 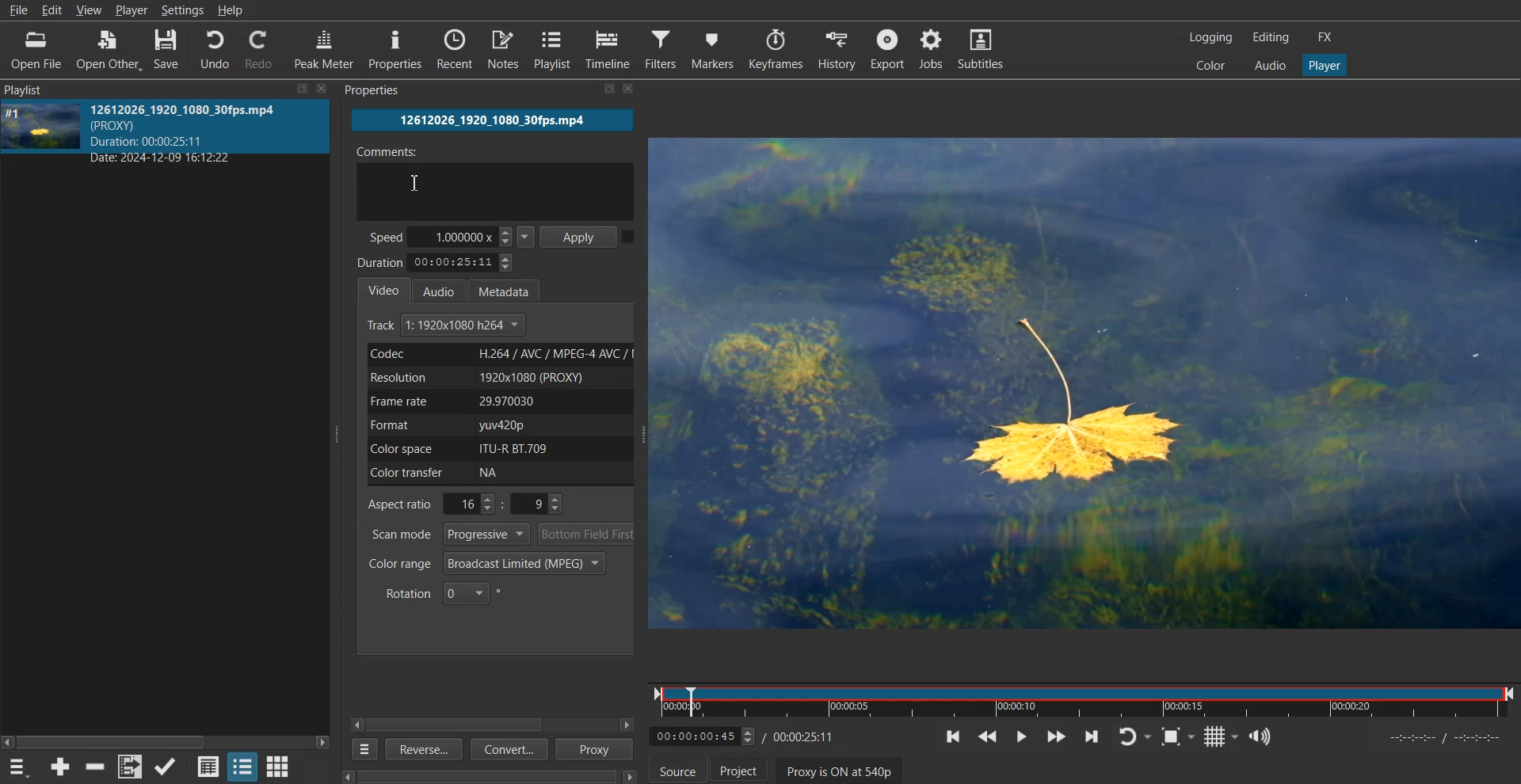 What do you see at coordinates (421, 748) in the screenshot?
I see `Reverse` at bounding box center [421, 748].